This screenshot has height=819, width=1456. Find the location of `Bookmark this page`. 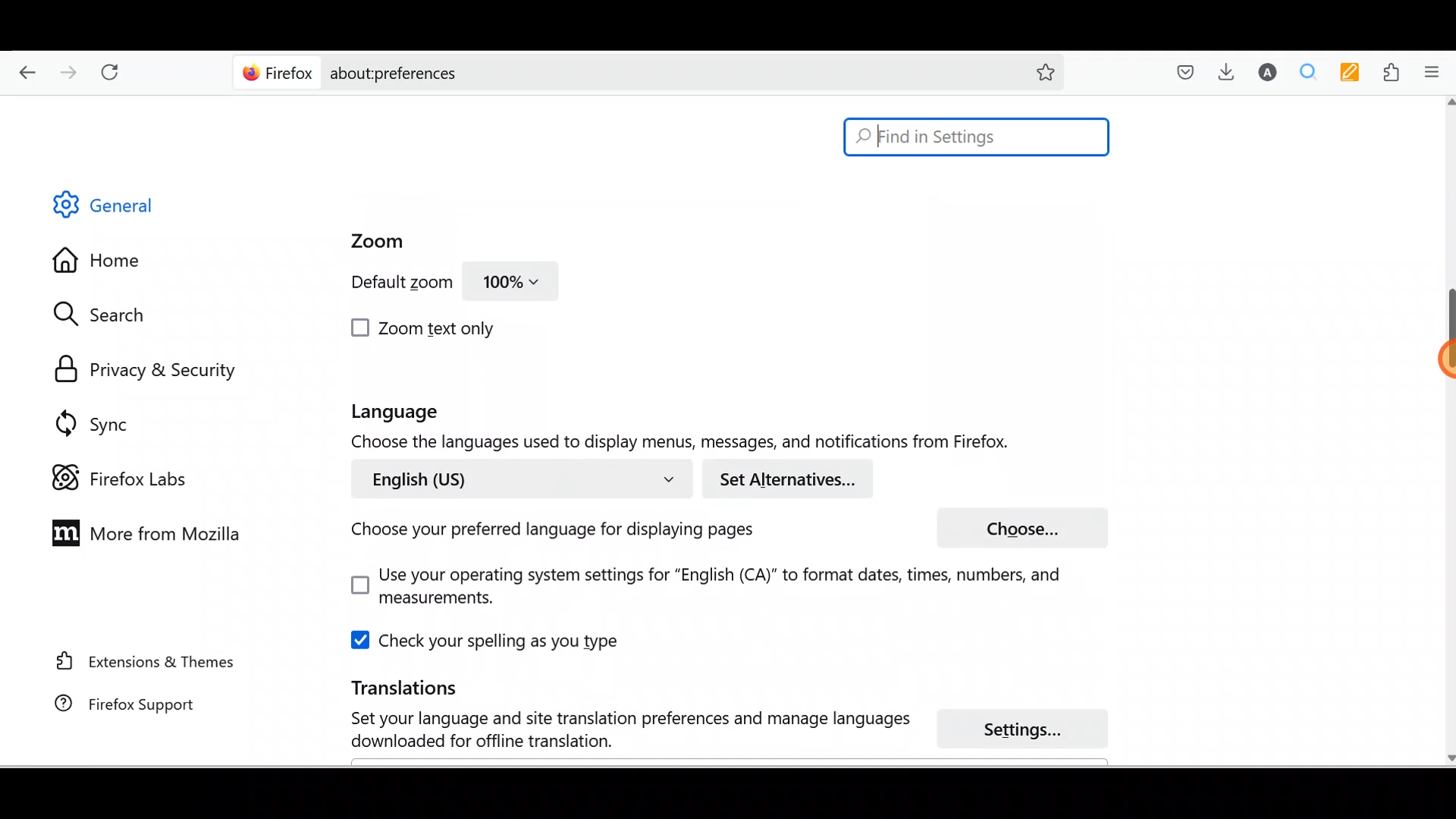

Bookmark this page is located at coordinates (1034, 71).